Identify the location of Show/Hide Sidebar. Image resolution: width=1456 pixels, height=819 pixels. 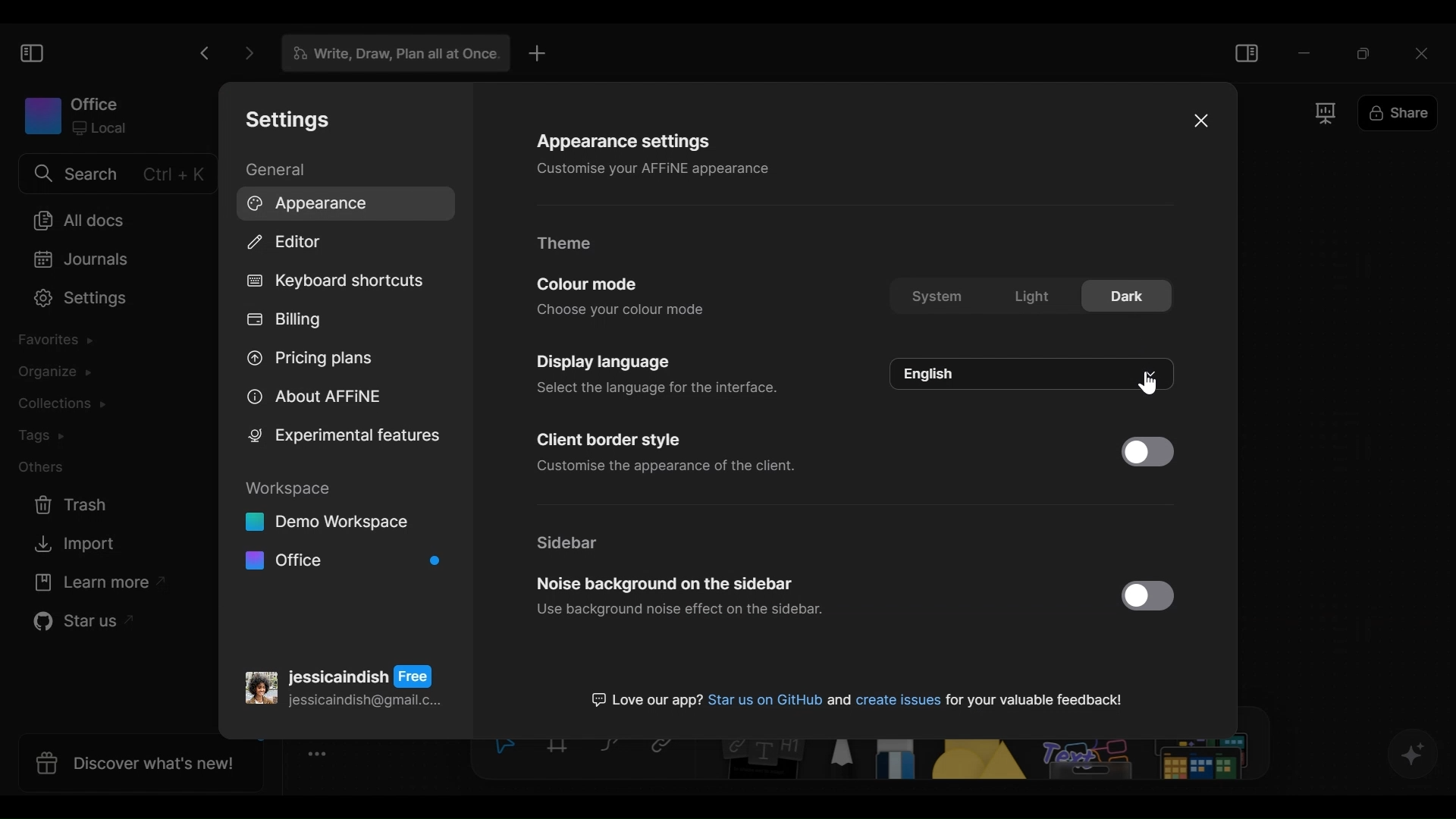
(30, 52).